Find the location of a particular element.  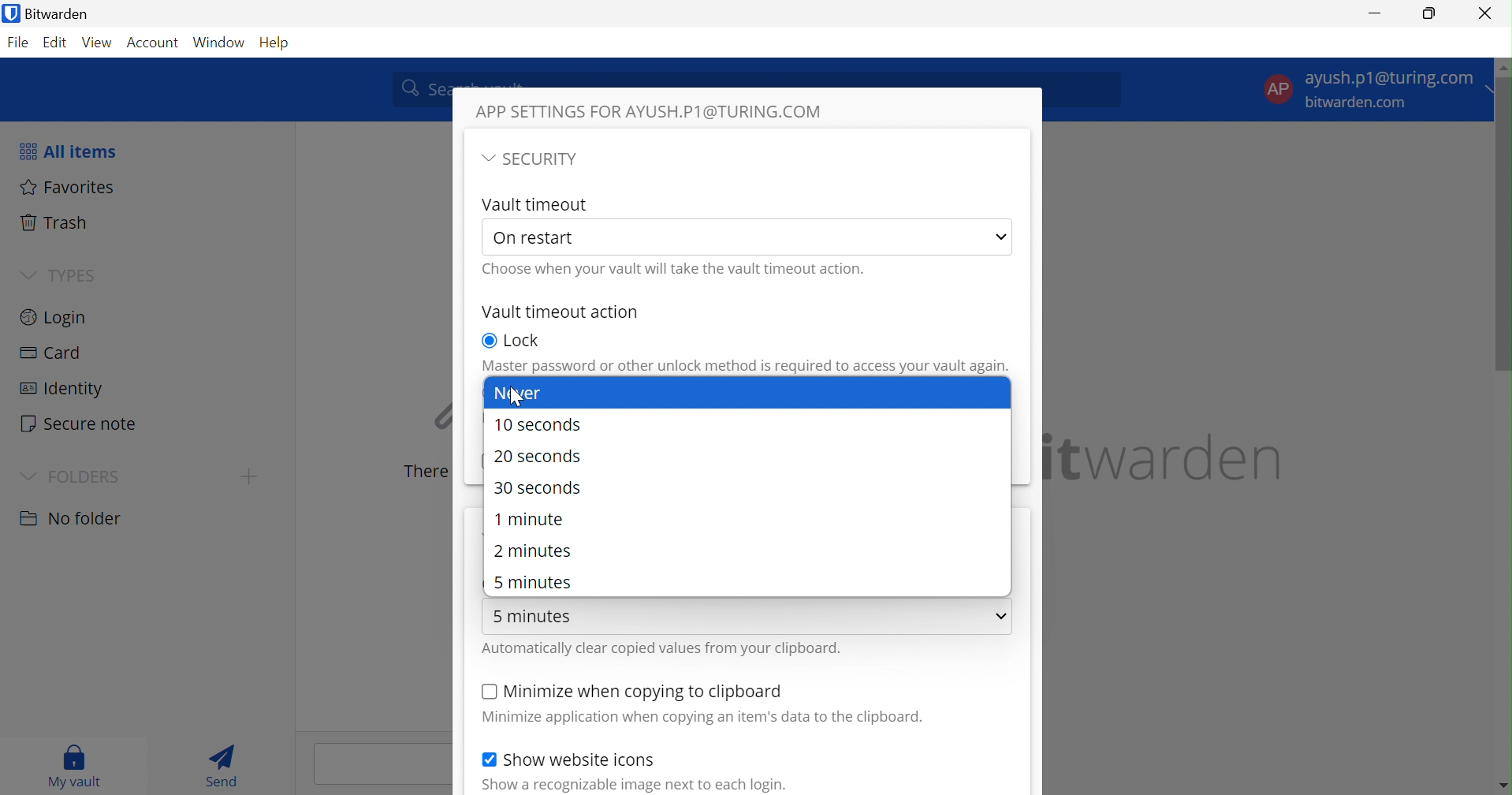

Card is located at coordinates (53, 354).